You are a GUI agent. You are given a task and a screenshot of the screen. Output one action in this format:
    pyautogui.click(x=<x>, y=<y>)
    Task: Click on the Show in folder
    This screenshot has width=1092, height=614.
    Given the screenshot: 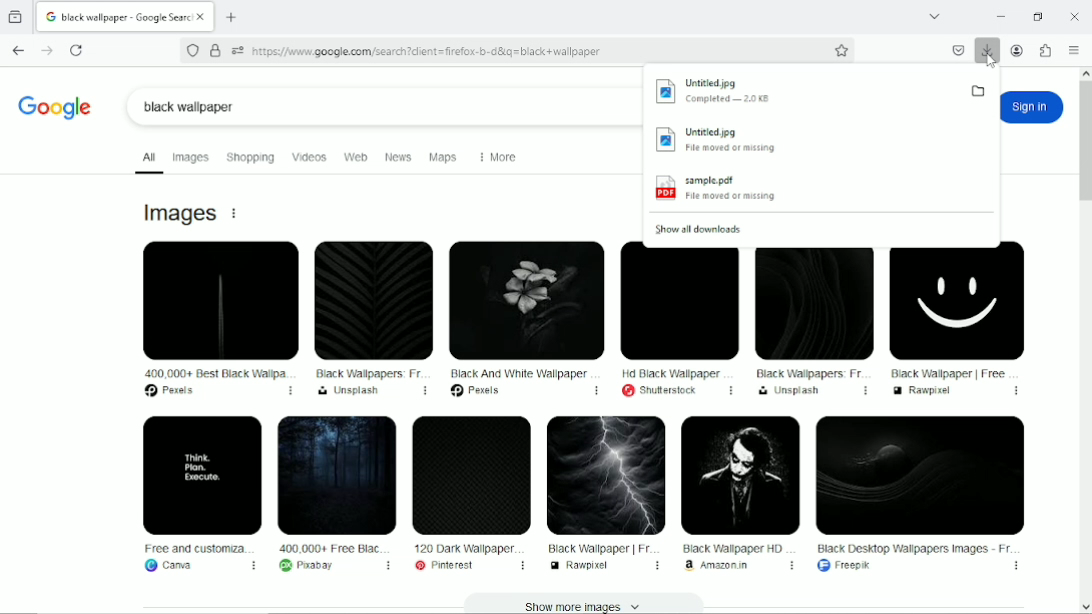 What is the action you would take?
    pyautogui.click(x=980, y=90)
    